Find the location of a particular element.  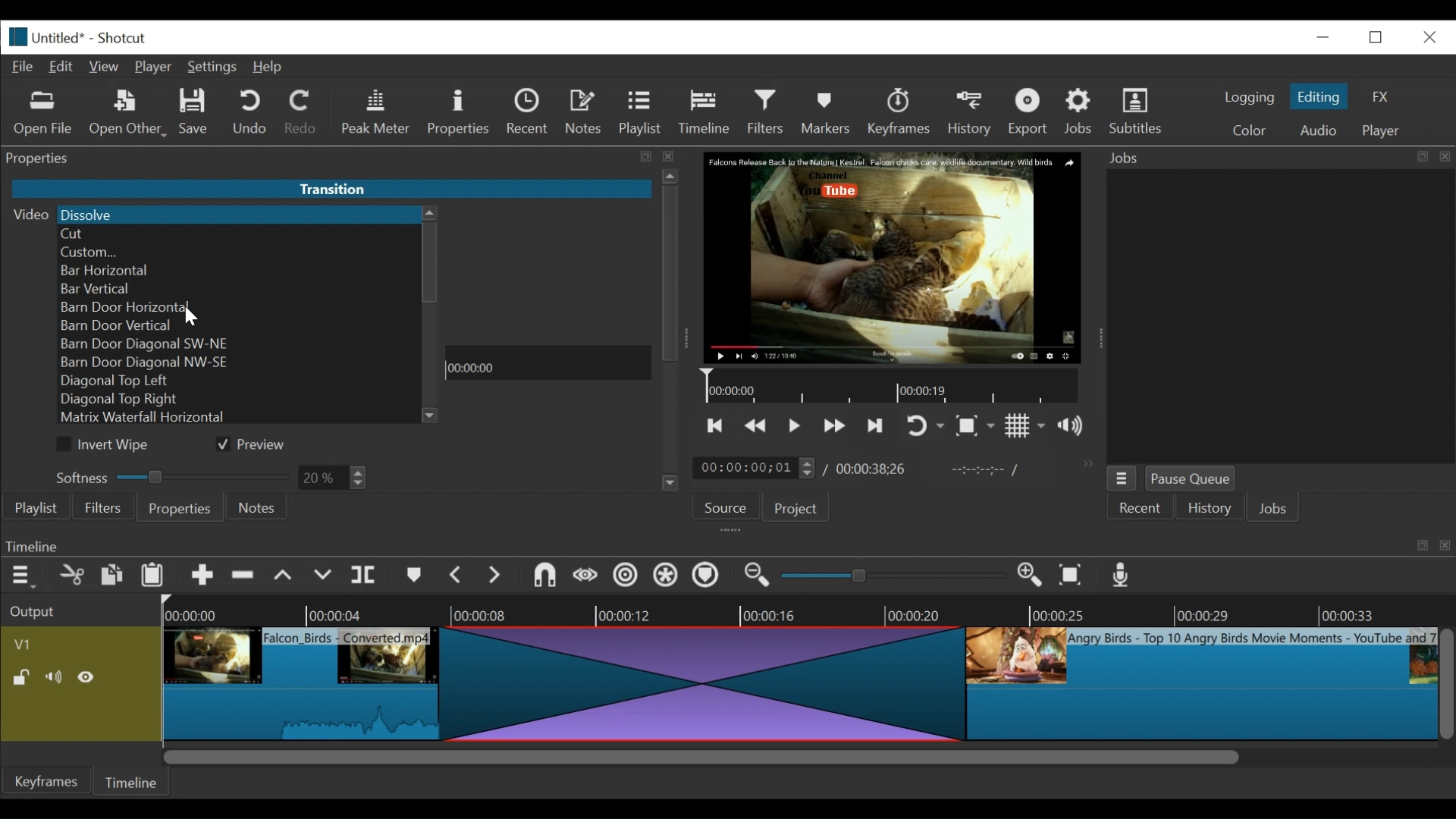

in point is located at coordinates (981, 472).